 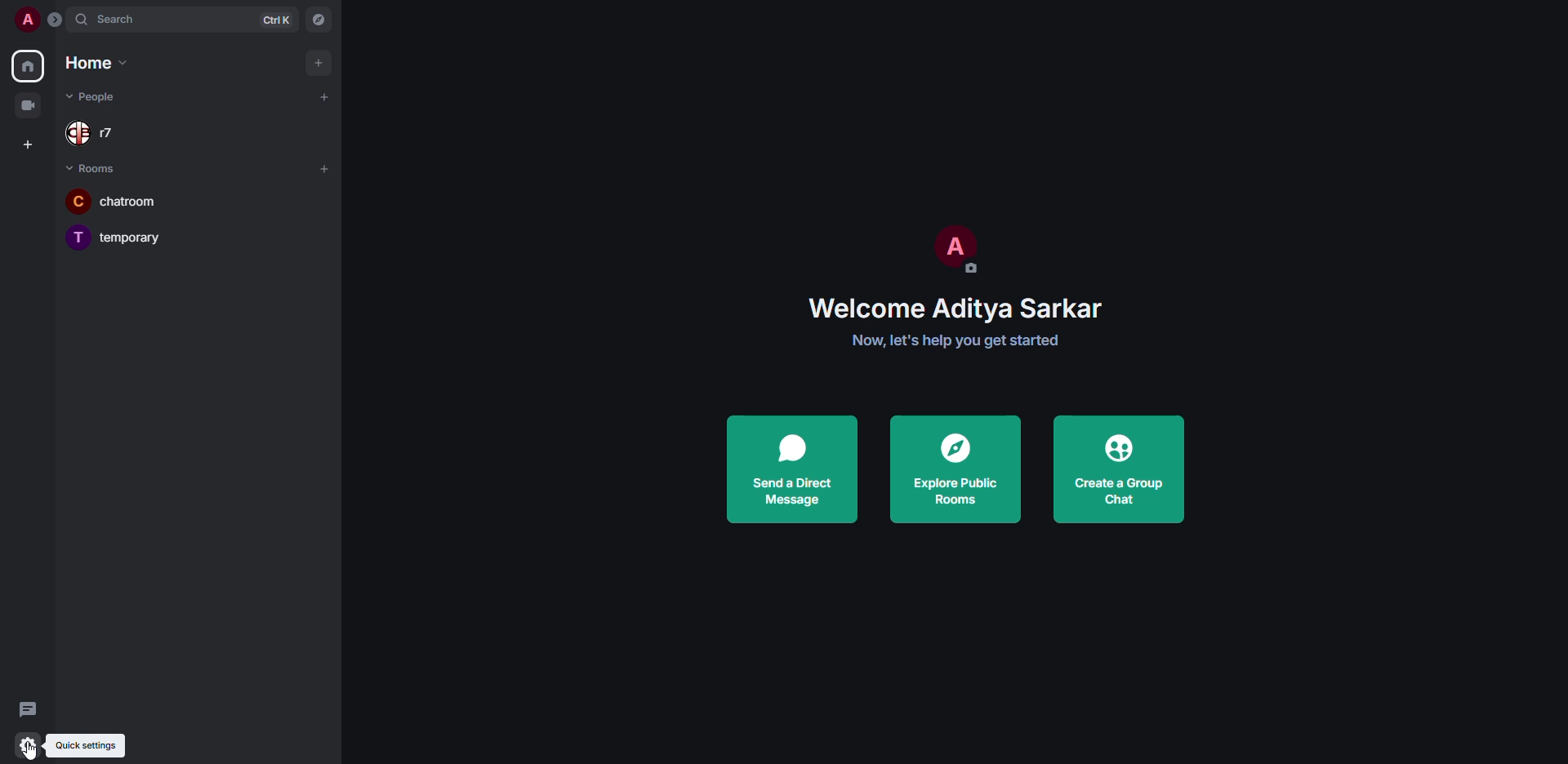 I want to click on people, so click(x=104, y=98).